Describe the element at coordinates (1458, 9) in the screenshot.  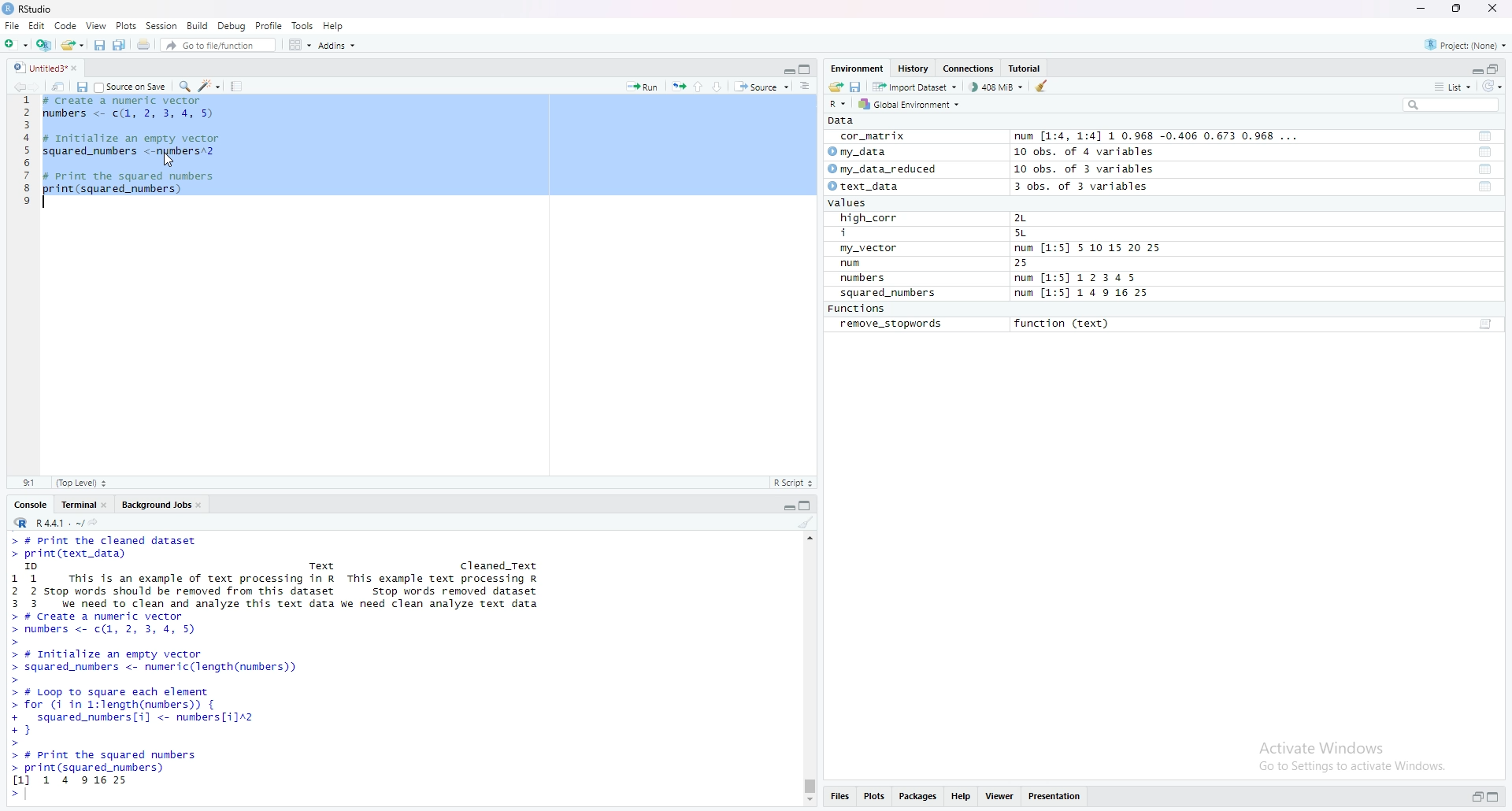
I see `maximize` at that location.